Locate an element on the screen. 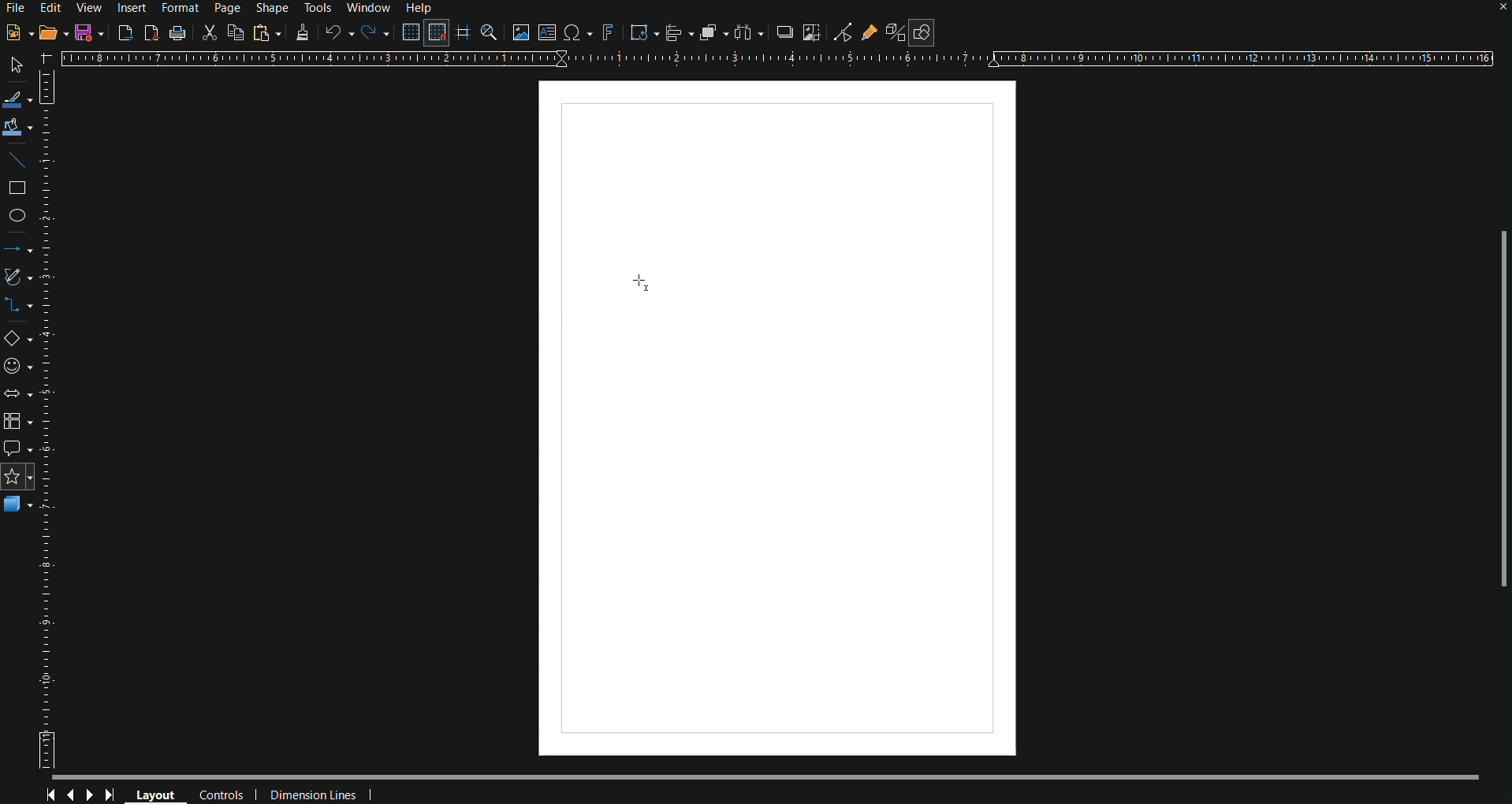  Redo is located at coordinates (373, 34).